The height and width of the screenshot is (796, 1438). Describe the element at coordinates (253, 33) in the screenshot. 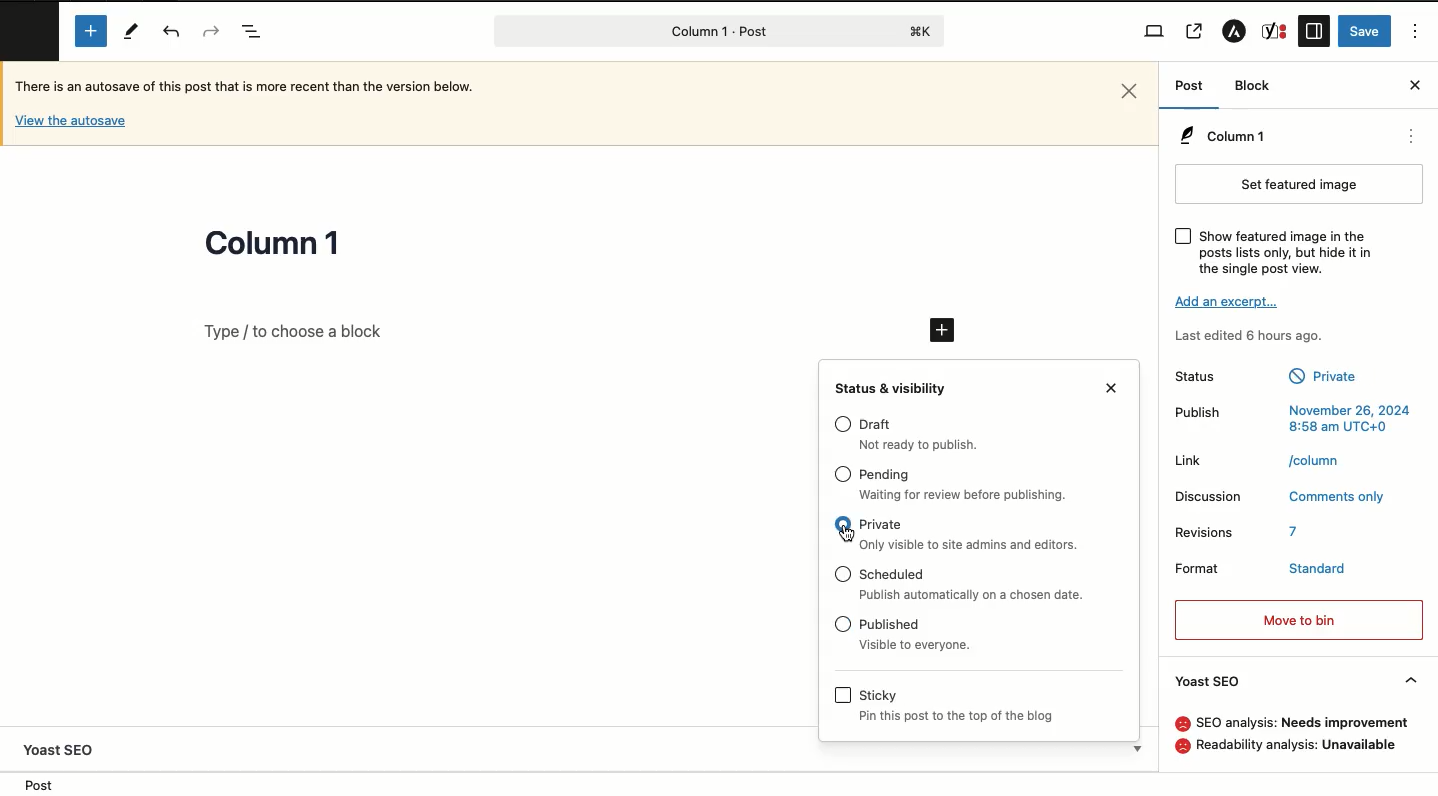

I see `Document overview` at that location.